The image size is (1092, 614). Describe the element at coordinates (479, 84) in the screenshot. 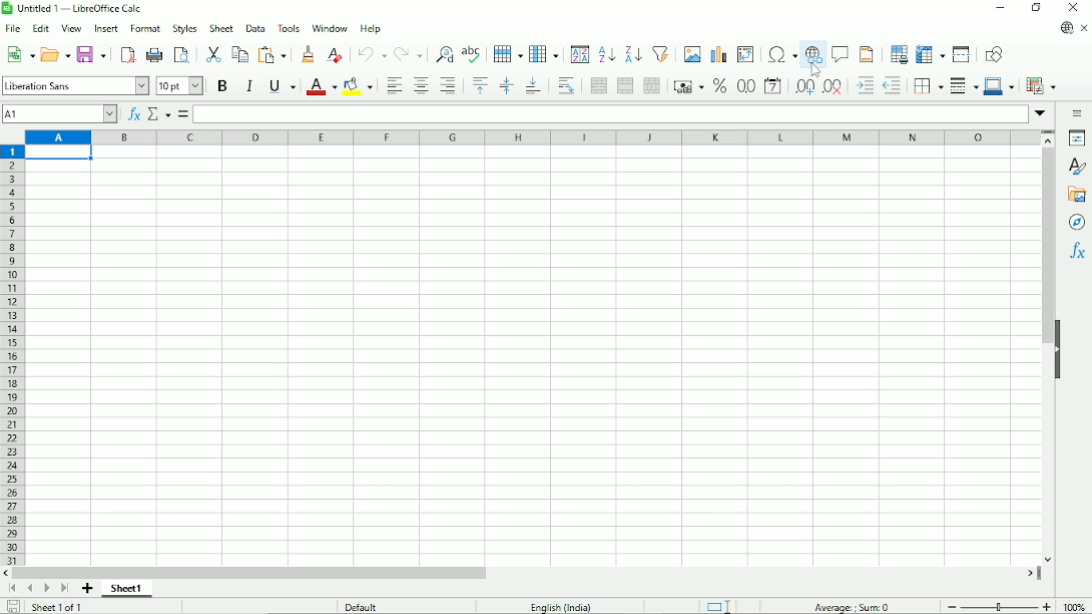

I see `Align top` at that location.